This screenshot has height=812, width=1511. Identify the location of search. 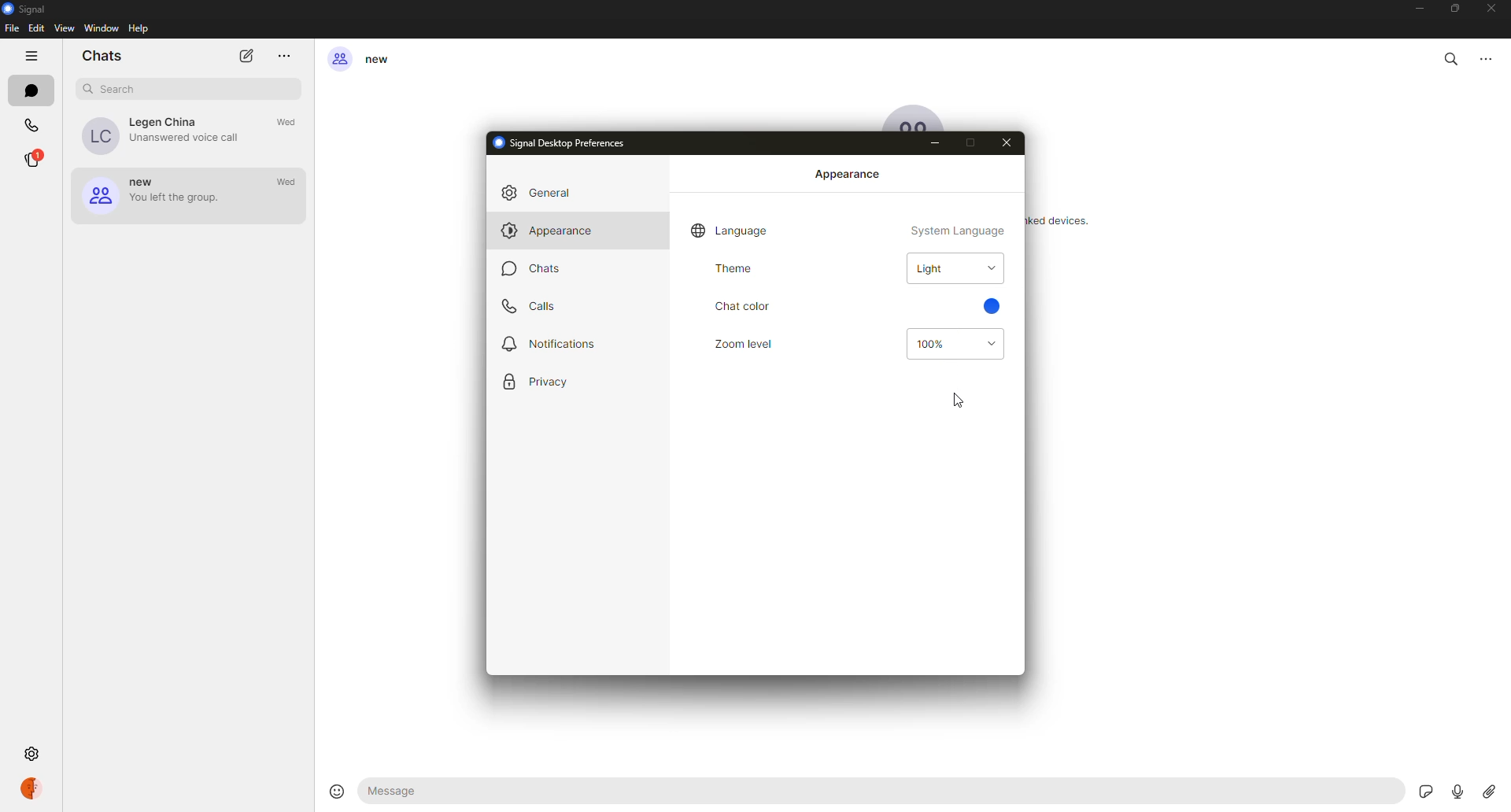
(178, 88).